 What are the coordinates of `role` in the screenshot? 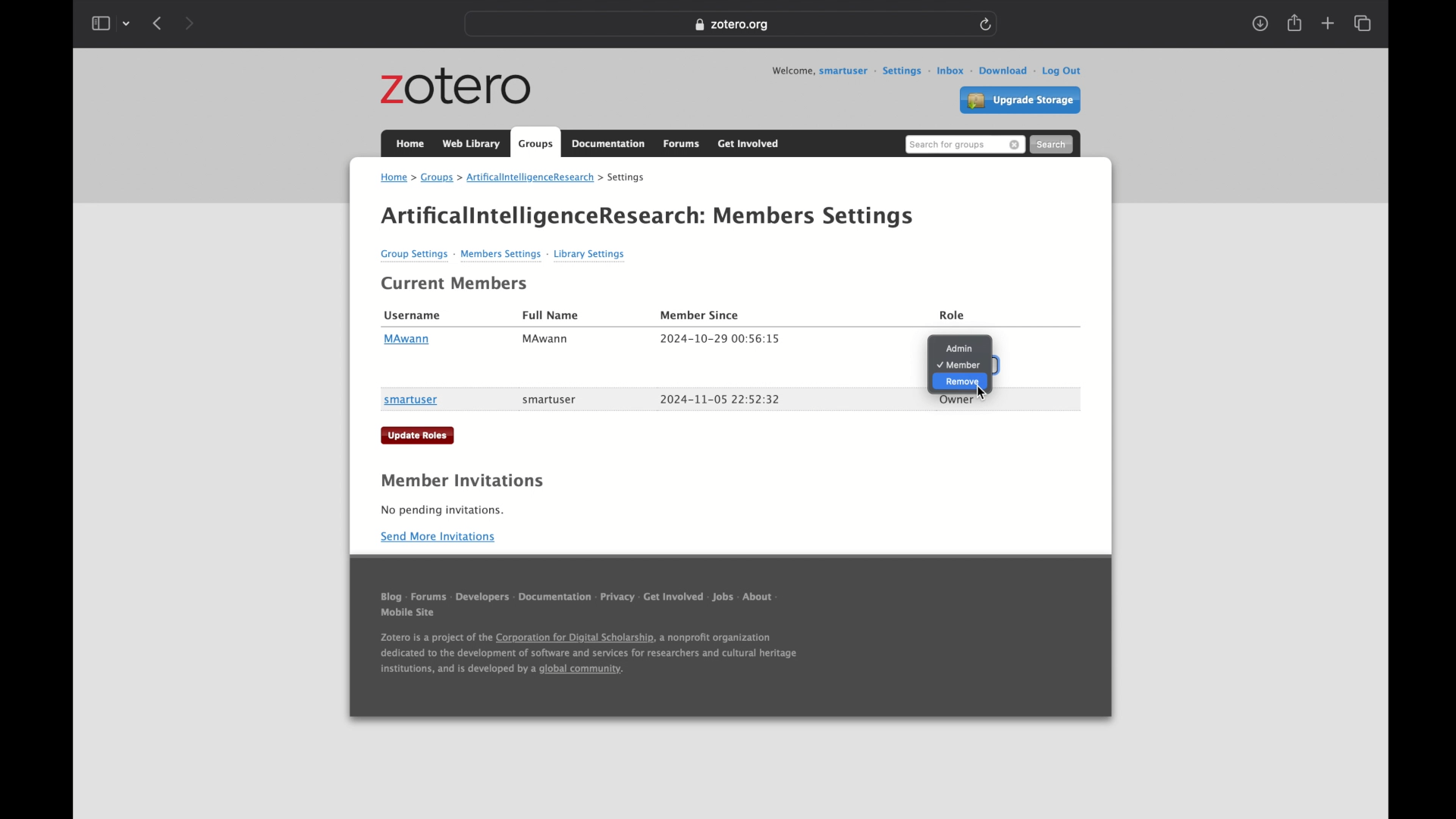 It's located at (953, 316).